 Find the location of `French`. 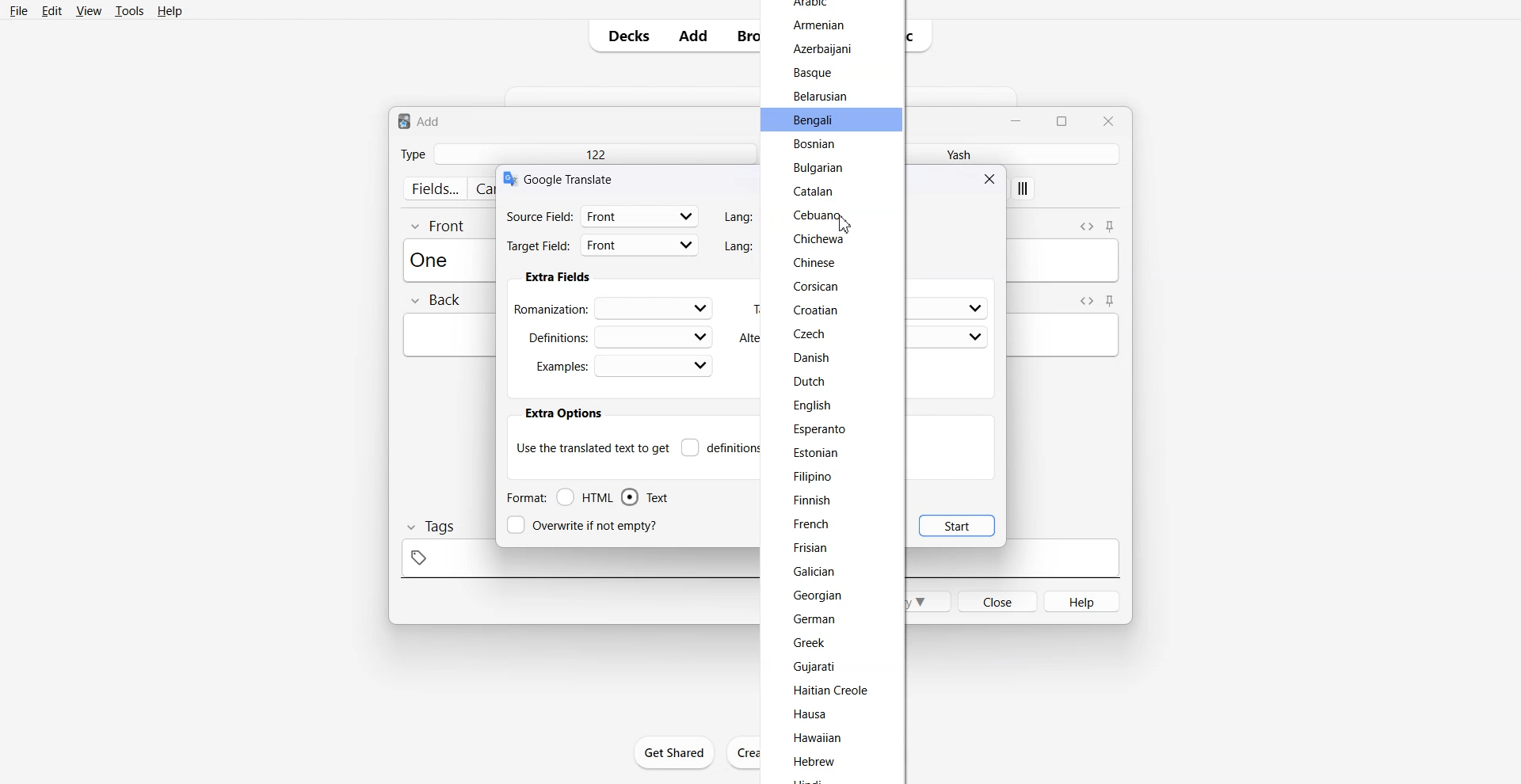

French is located at coordinates (814, 524).